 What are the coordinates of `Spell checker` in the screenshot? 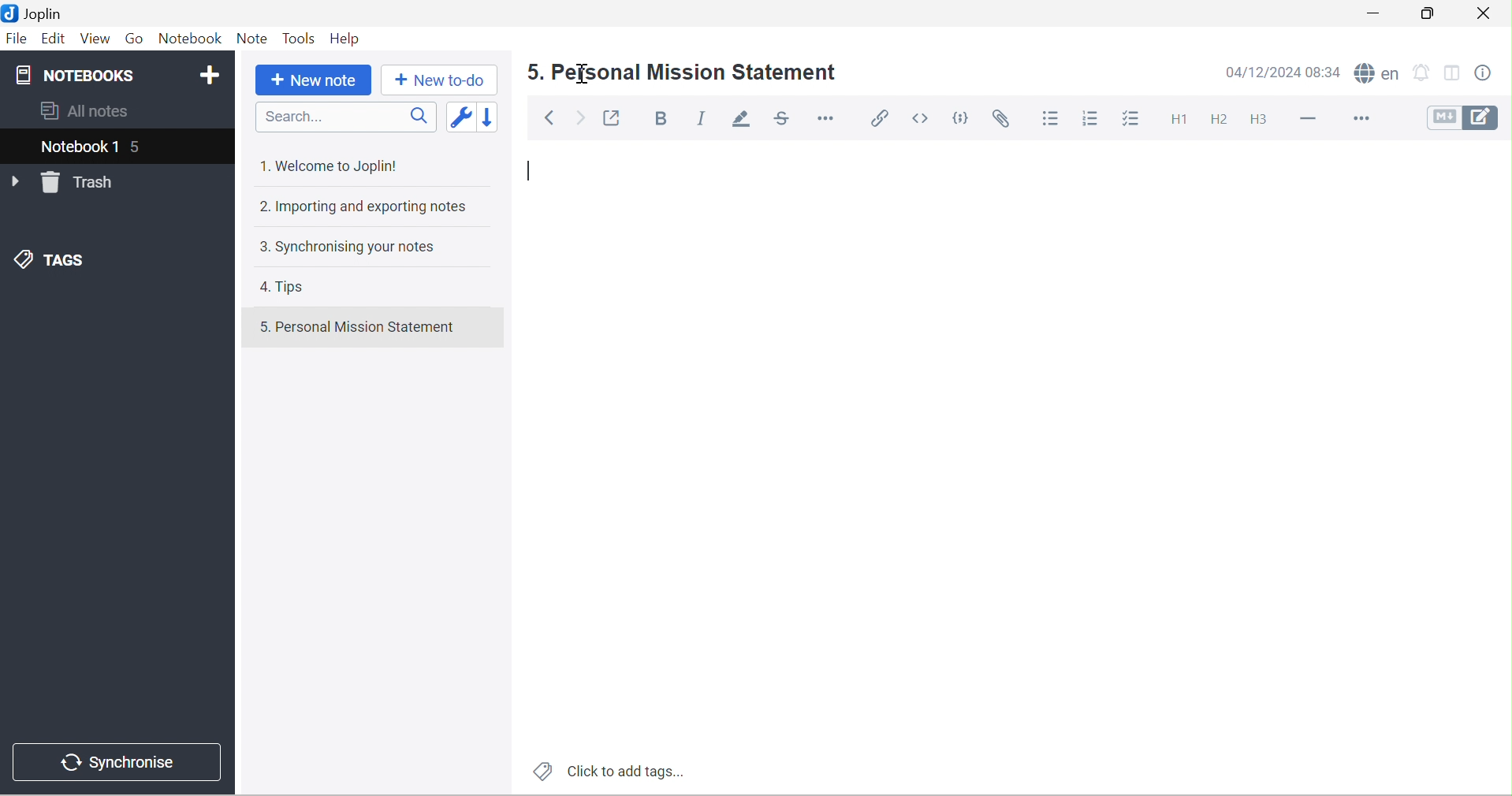 It's located at (1375, 73).